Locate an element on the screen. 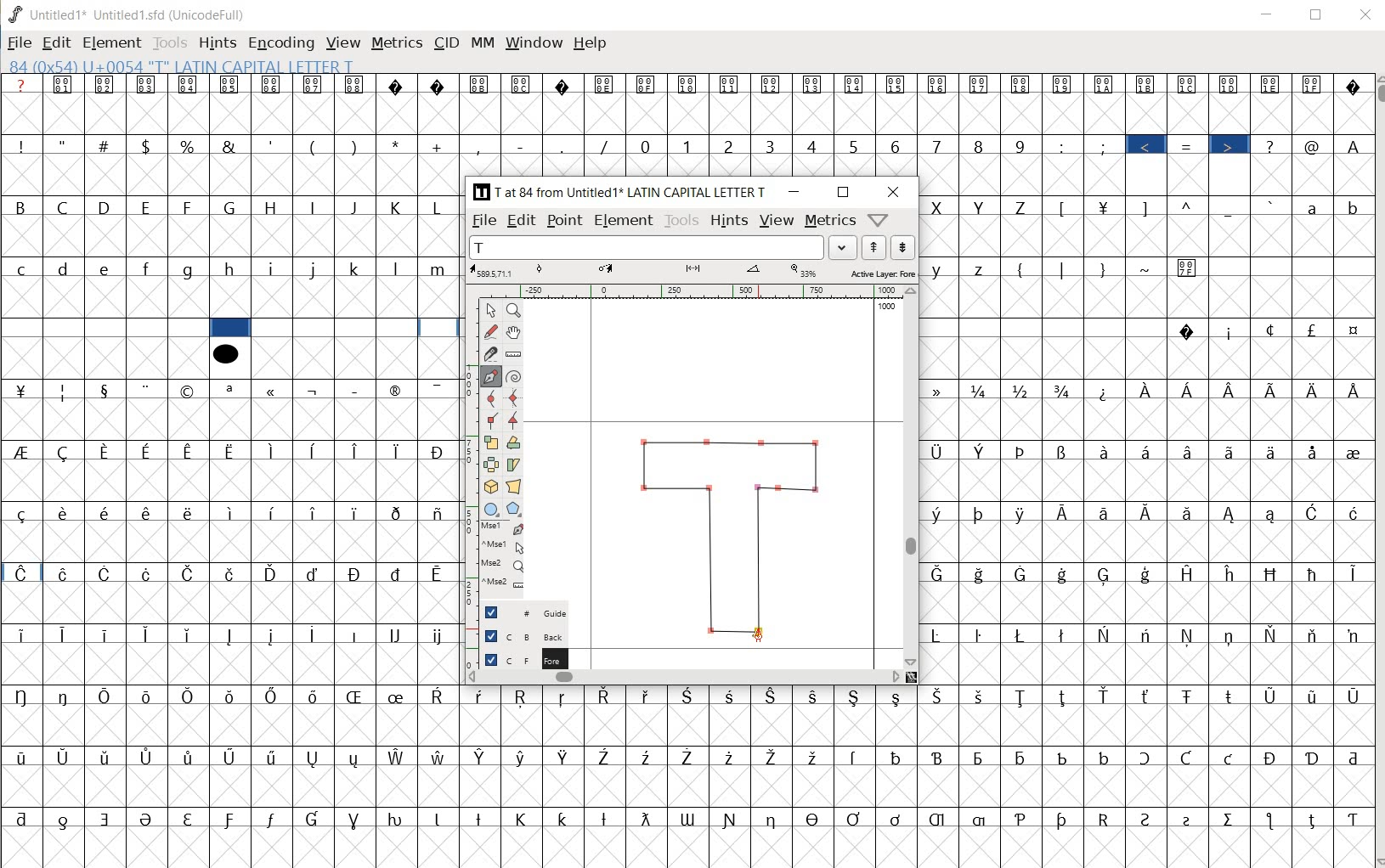 This screenshot has height=868, width=1385. F is located at coordinates (189, 207).